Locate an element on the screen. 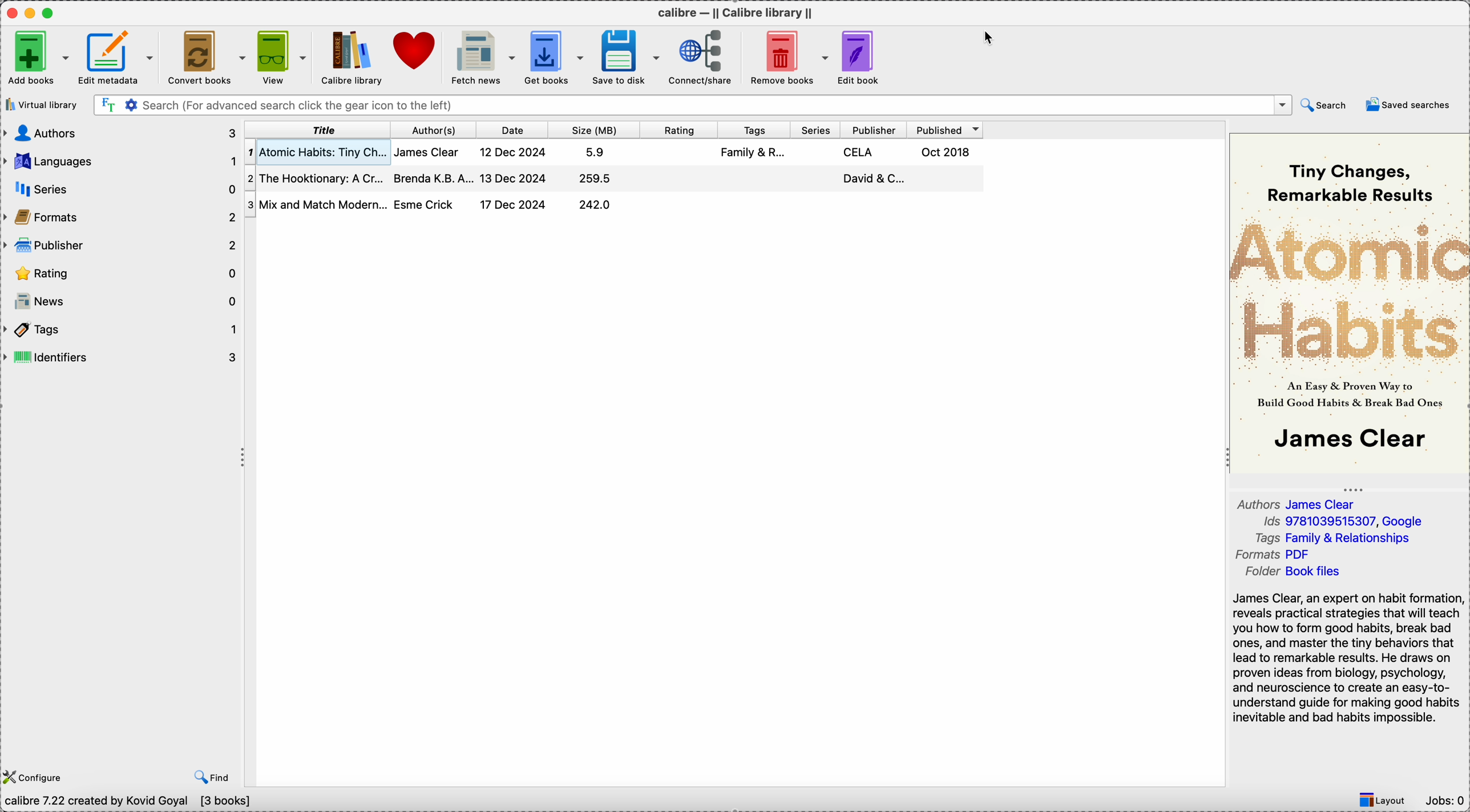 The width and height of the screenshot is (1470, 812). 17 Dec 2024 is located at coordinates (514, 205).